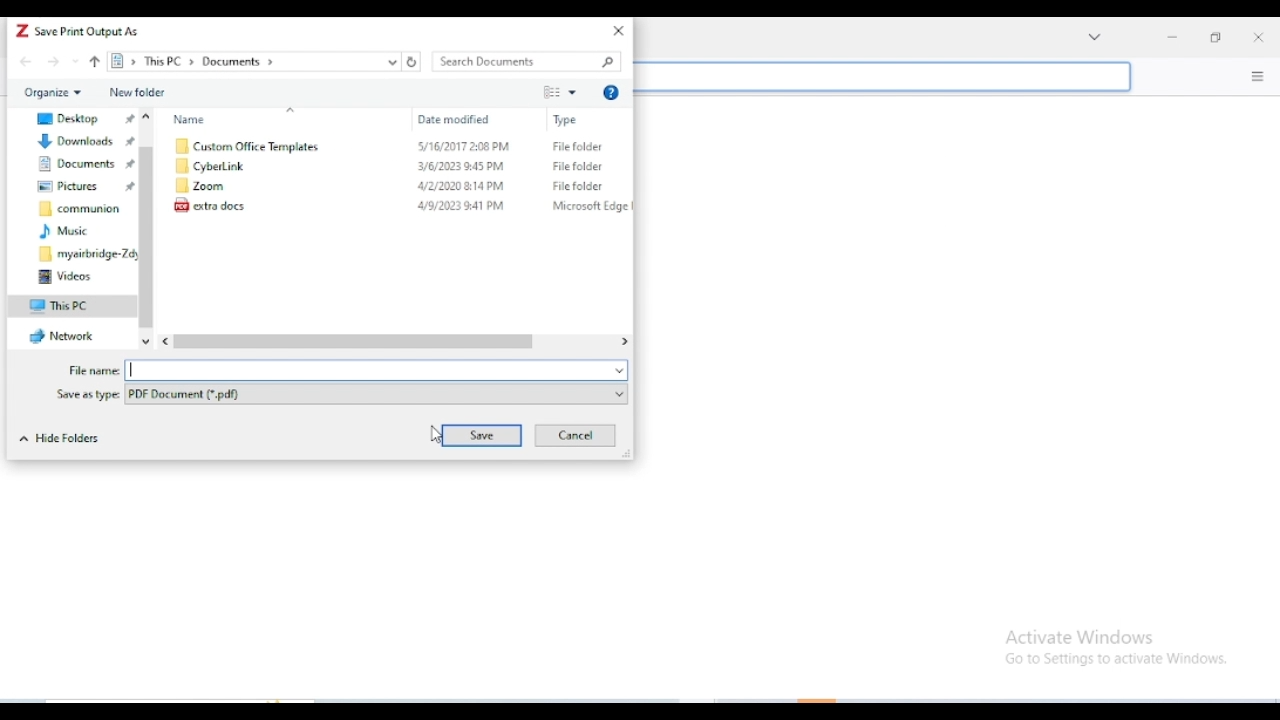 This screenshot has height=720, width=1280. Describe the element at coordinates (461, 186) in the screenshot. I see `L2/2020214PM` at that location.